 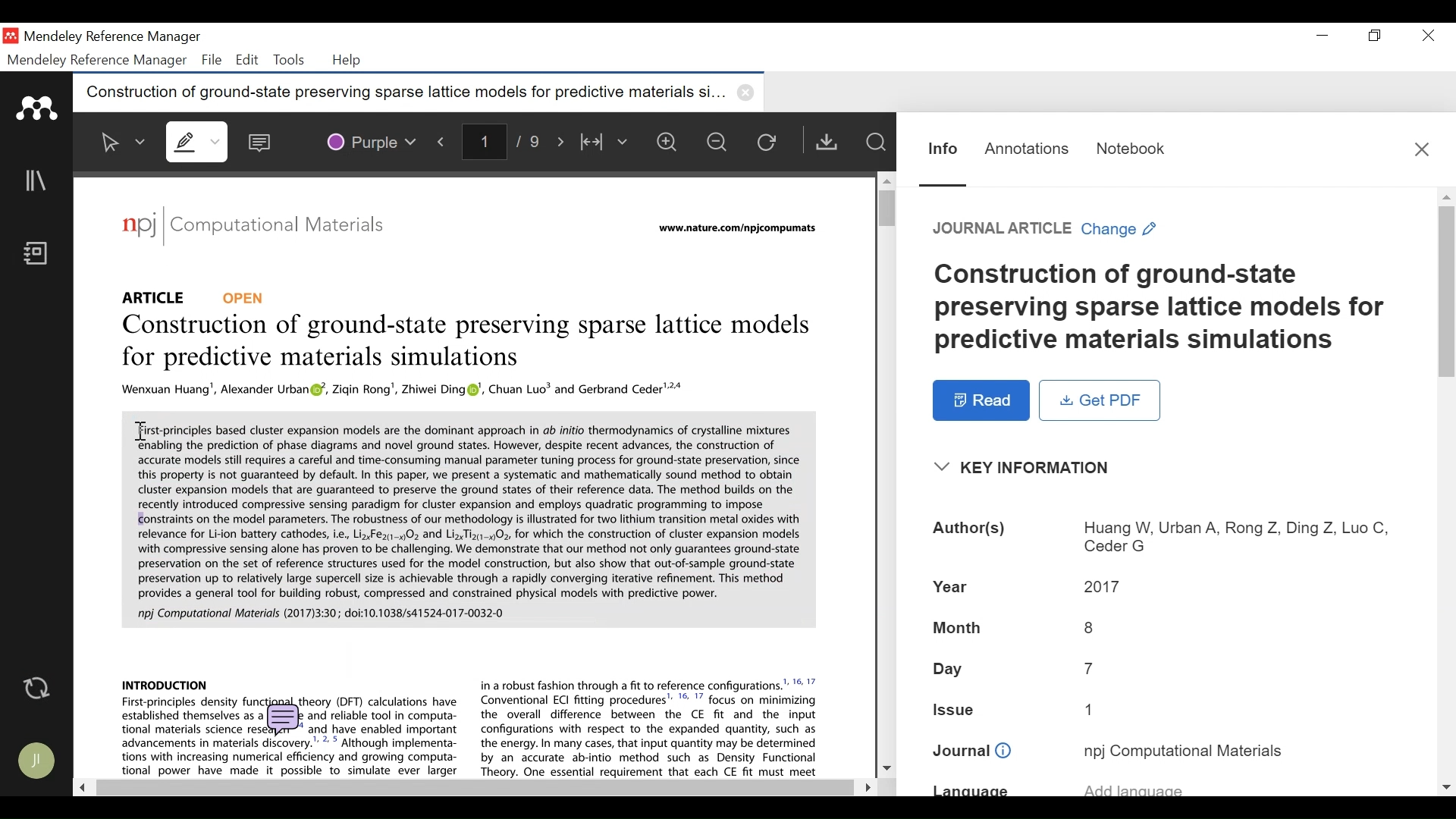 What do you see at coordinates (37, 180) in the screenshot?
I see `Library` at bounding box center [37, 180].